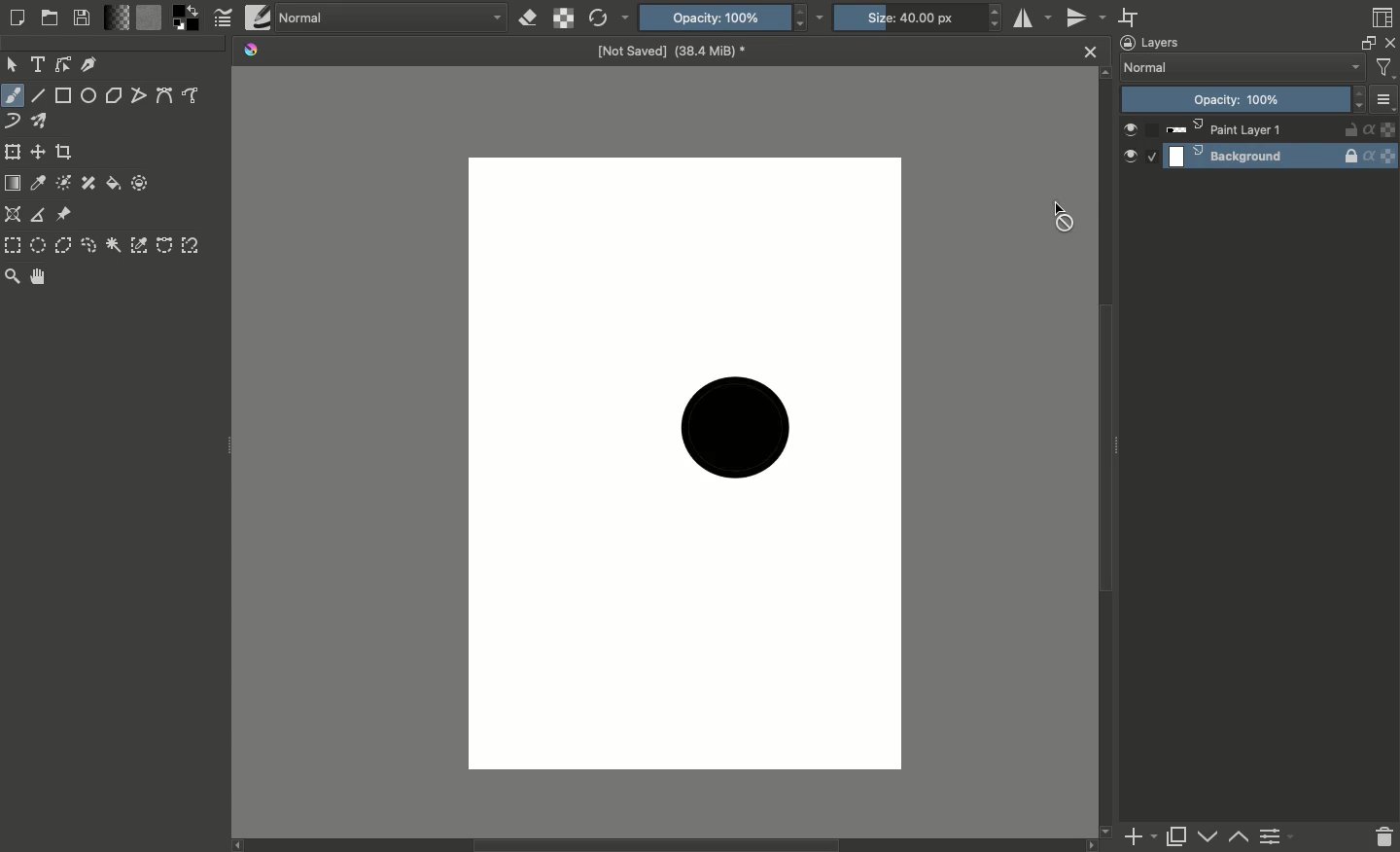 The height and width of the screenshot is (852, 1400). Describe the element at coordinates (1383, 19) in the screenshot. I see `Workspaces` at that location.